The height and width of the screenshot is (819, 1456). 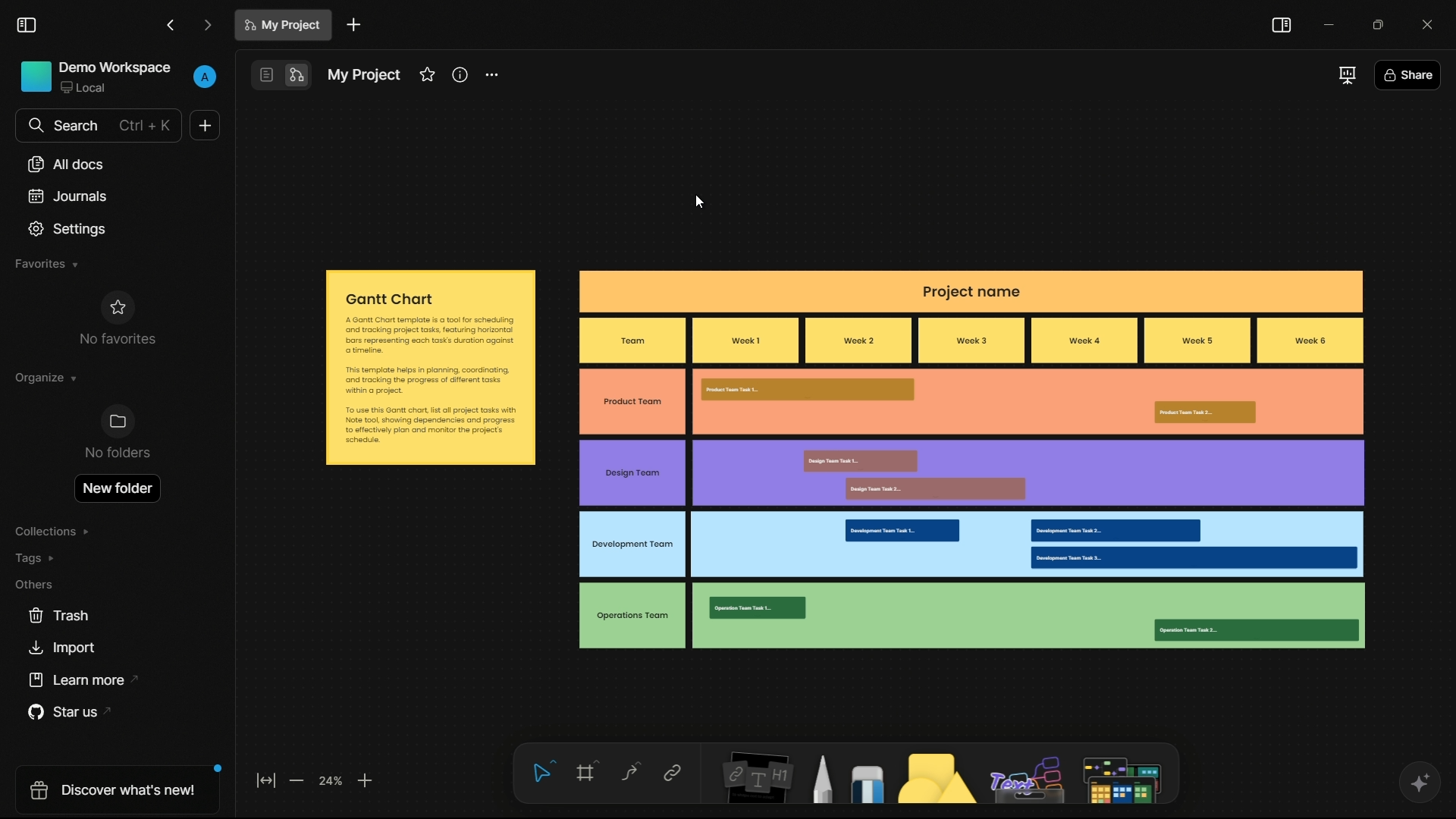 I want to click on link, so click(x=672, y=774).